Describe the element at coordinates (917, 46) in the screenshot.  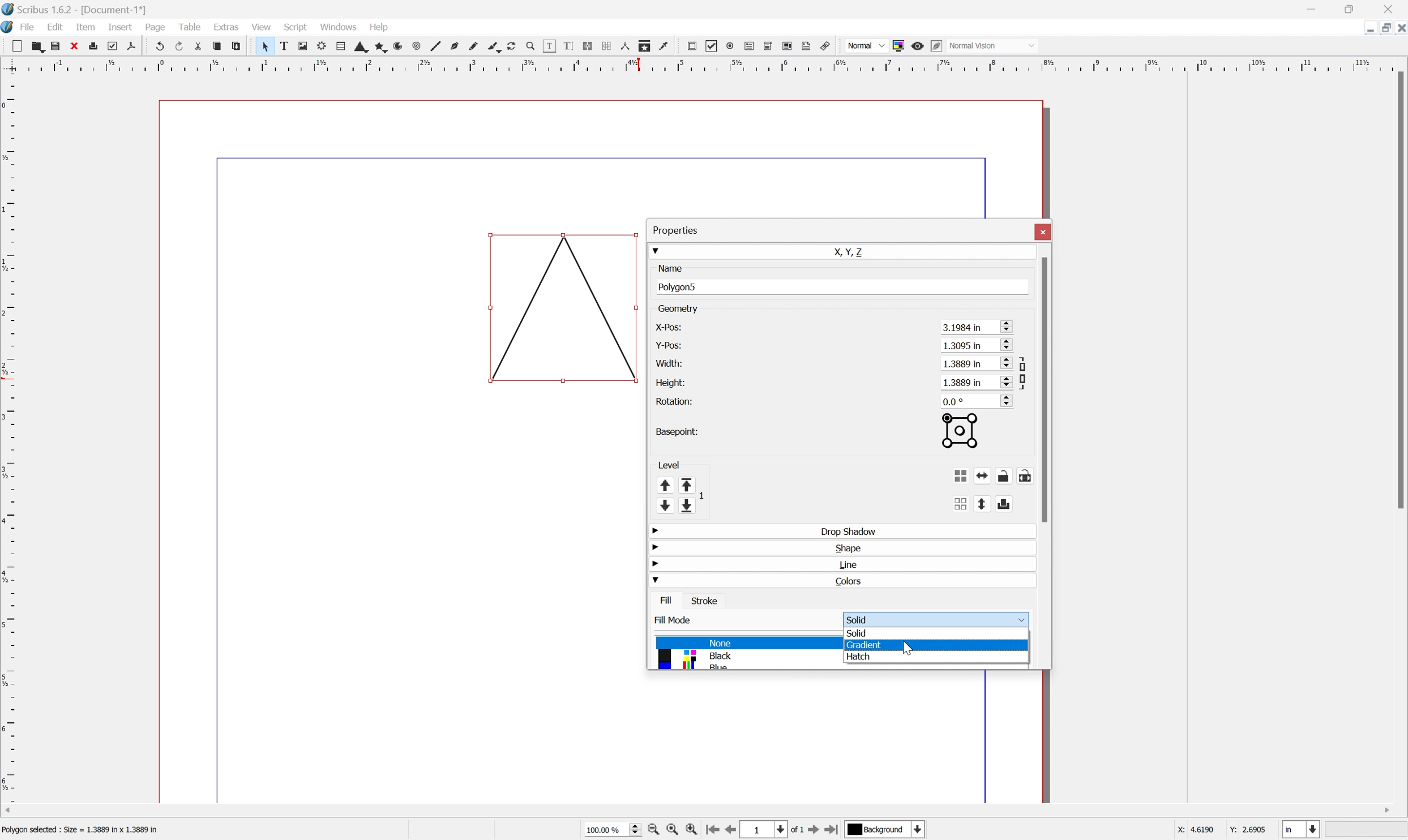
I see `Preview mode` at that location.